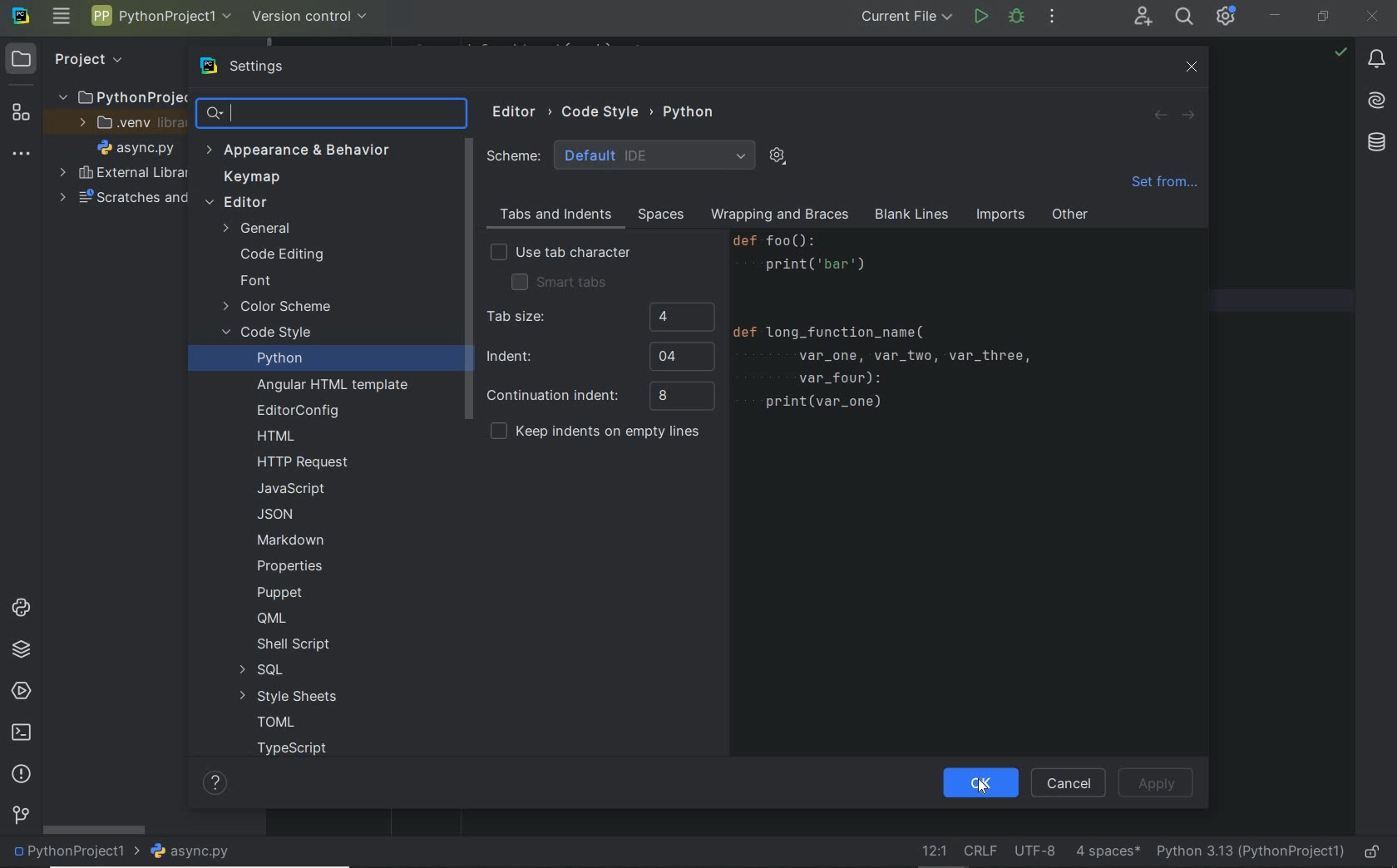 The height and width of the screenshot is (868, 1397). What do you see at coordinates (1143, 19) in the screenshot?
I see `code with me` at bounding box center [1143, 19].